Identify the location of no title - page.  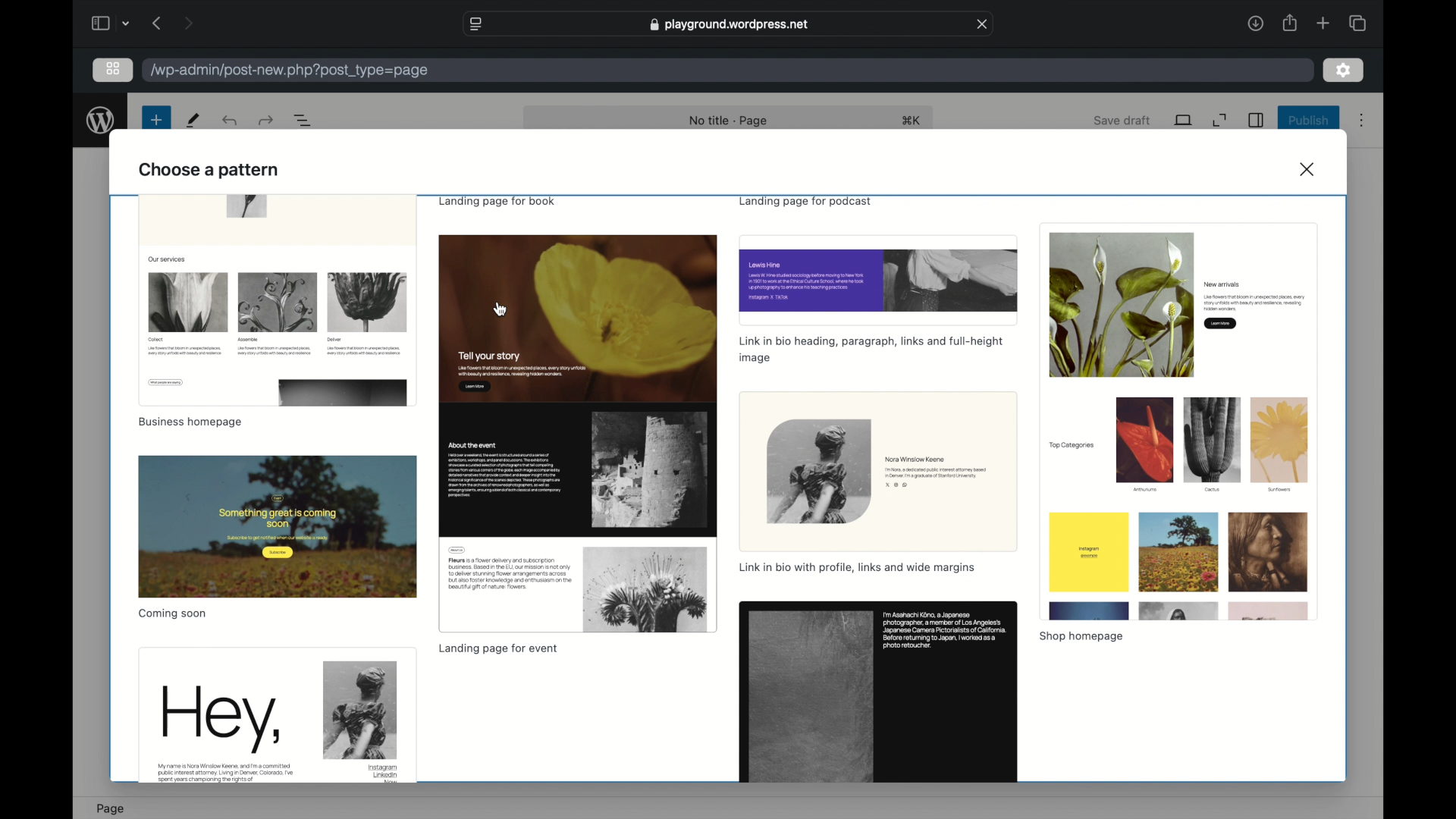
(730, 121).